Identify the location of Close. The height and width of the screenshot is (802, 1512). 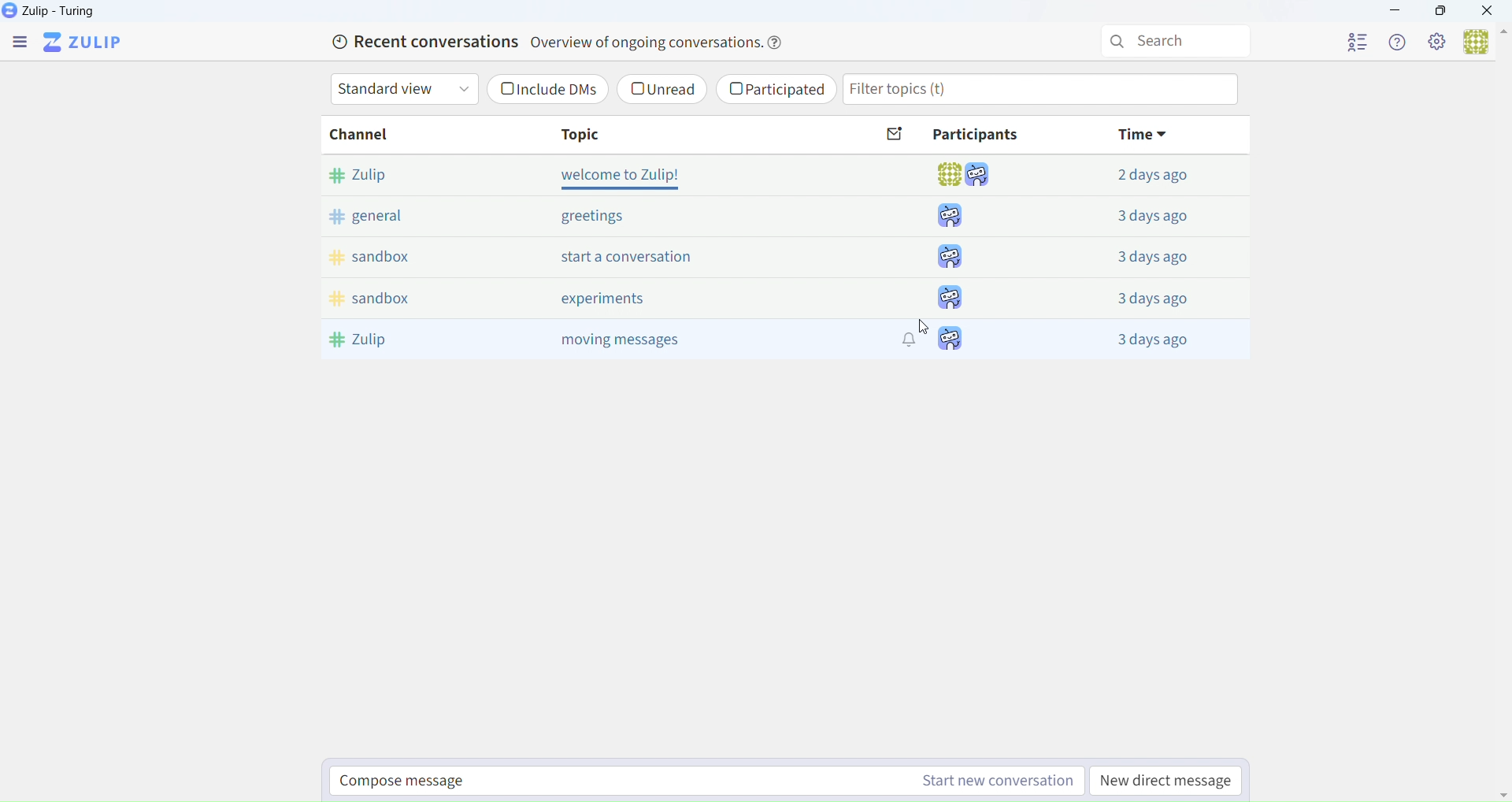
(1490, 13).